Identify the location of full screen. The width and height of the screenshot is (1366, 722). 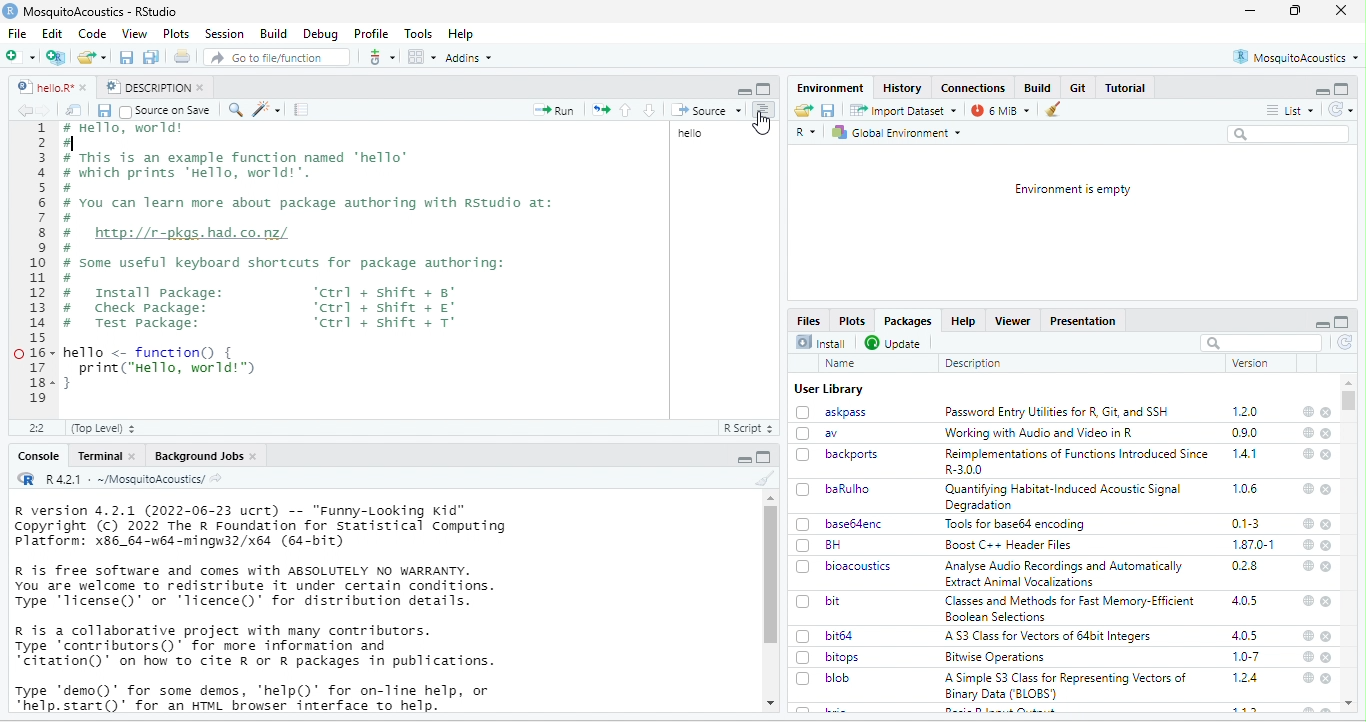
(1342, 322).